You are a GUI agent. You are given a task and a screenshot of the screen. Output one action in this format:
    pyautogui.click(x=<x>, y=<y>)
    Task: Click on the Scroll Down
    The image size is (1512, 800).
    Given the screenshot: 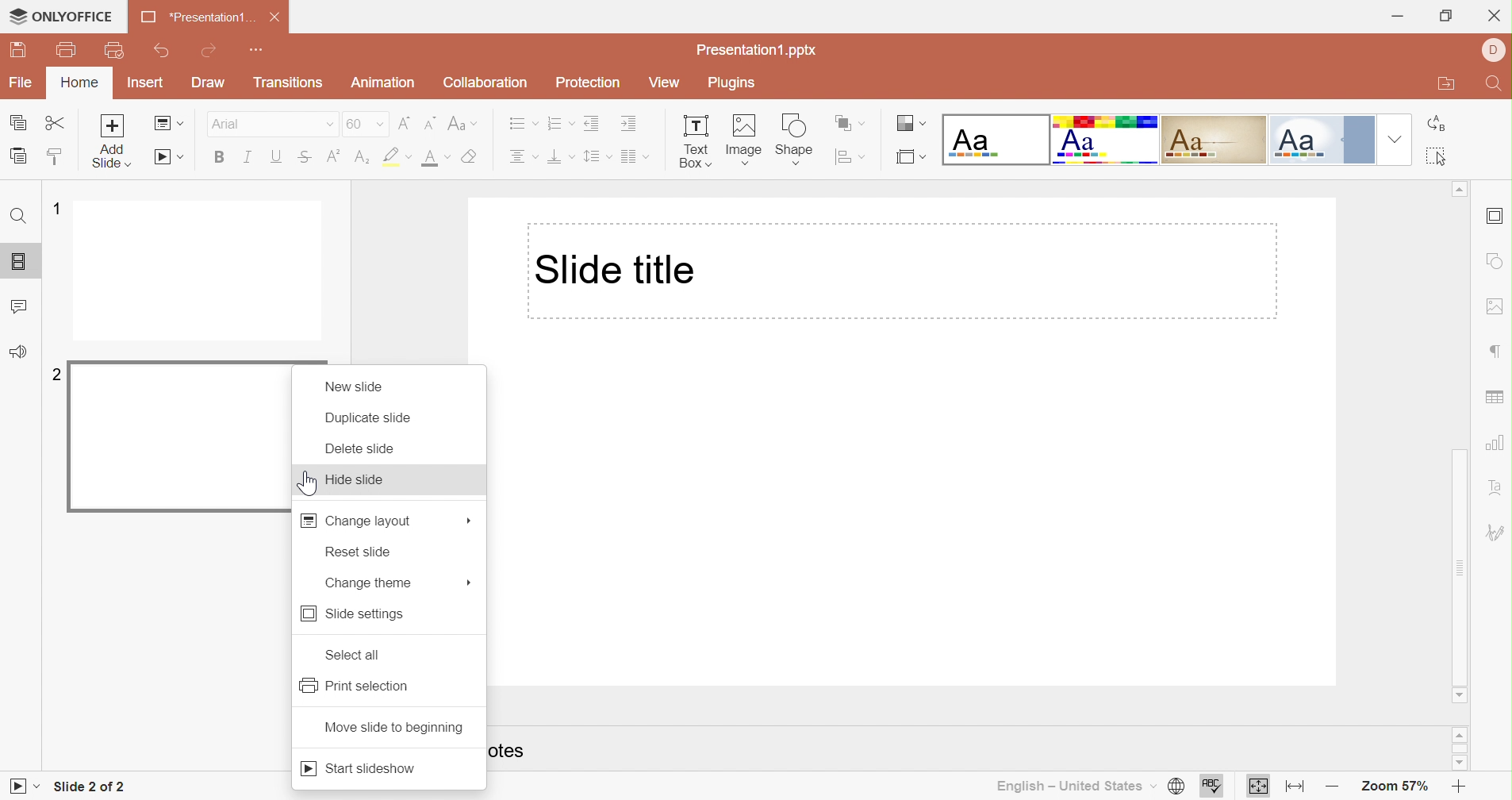 What is the action you would take?
    pyautogui.click(x=1458, y=695)
    